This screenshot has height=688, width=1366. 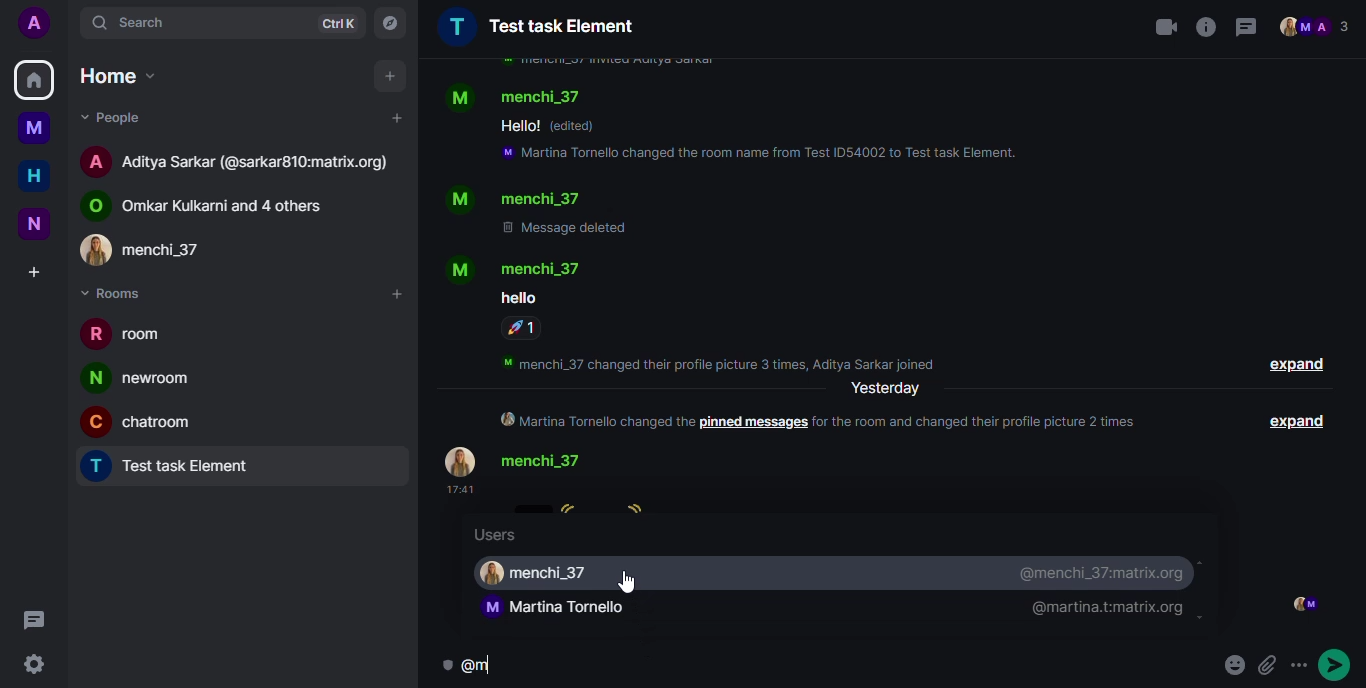 What do you see at coordinates (515, 199) in the screenshot?
I see `contact` at bounding box center [515, 199].